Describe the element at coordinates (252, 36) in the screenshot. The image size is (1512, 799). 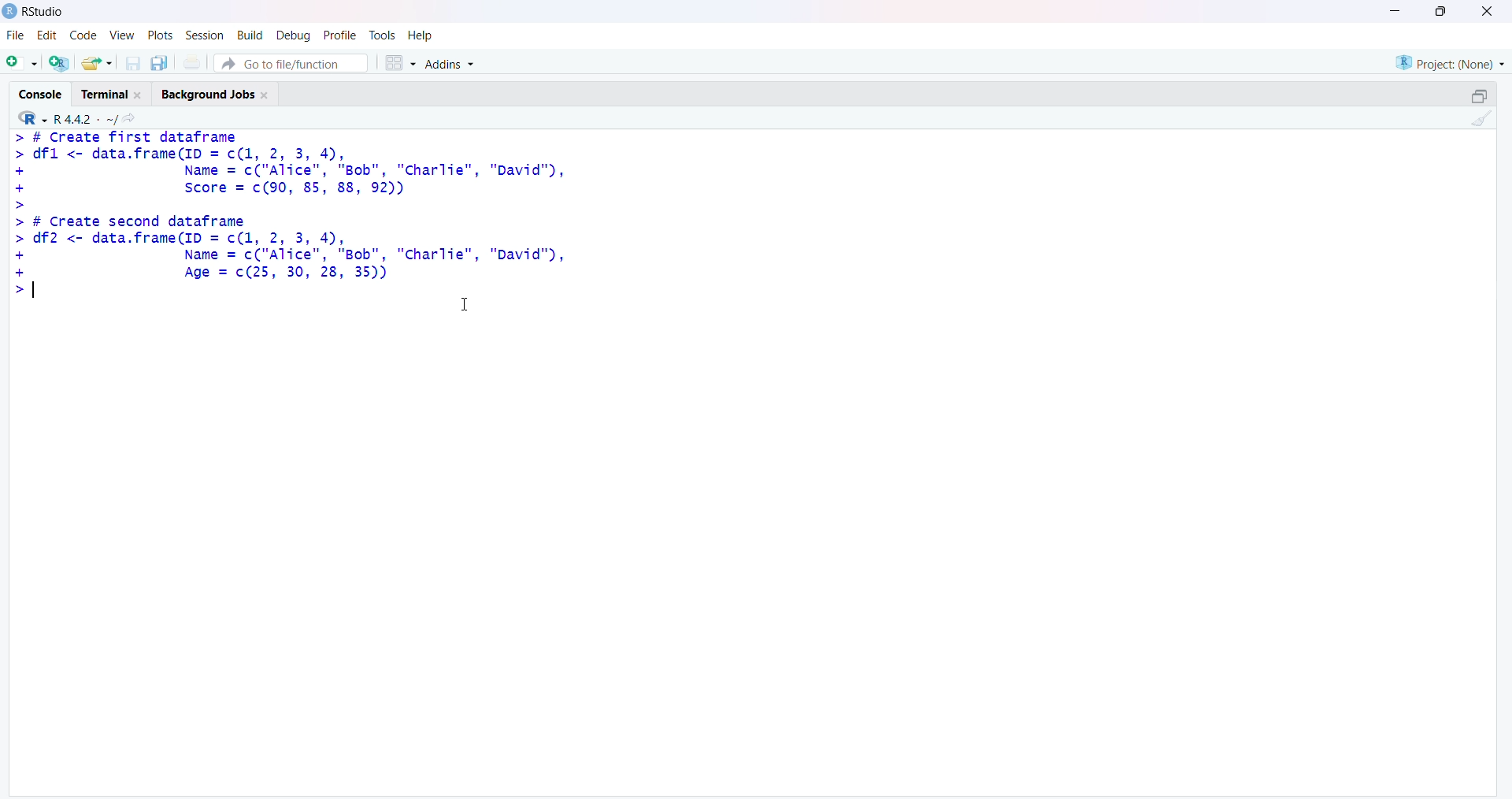
I see `build` at that location.